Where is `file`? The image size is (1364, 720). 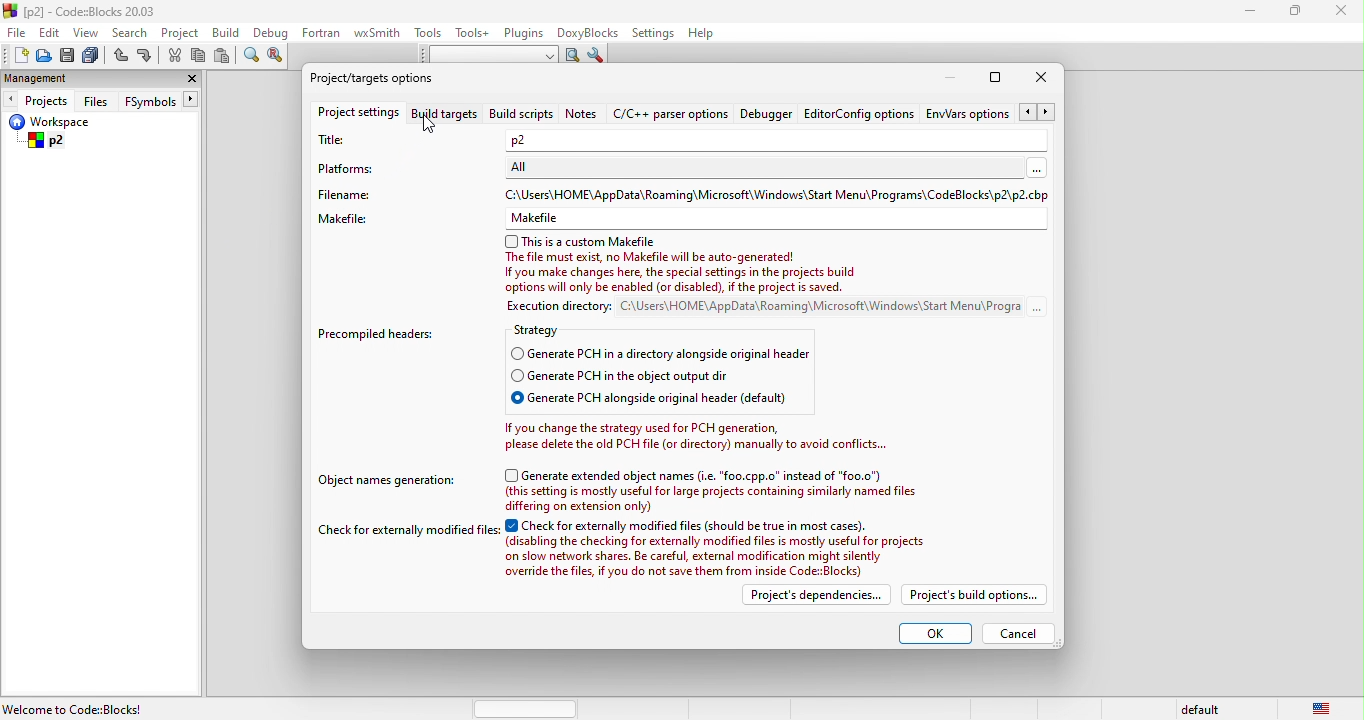
file is located at coordinates (18, 32).